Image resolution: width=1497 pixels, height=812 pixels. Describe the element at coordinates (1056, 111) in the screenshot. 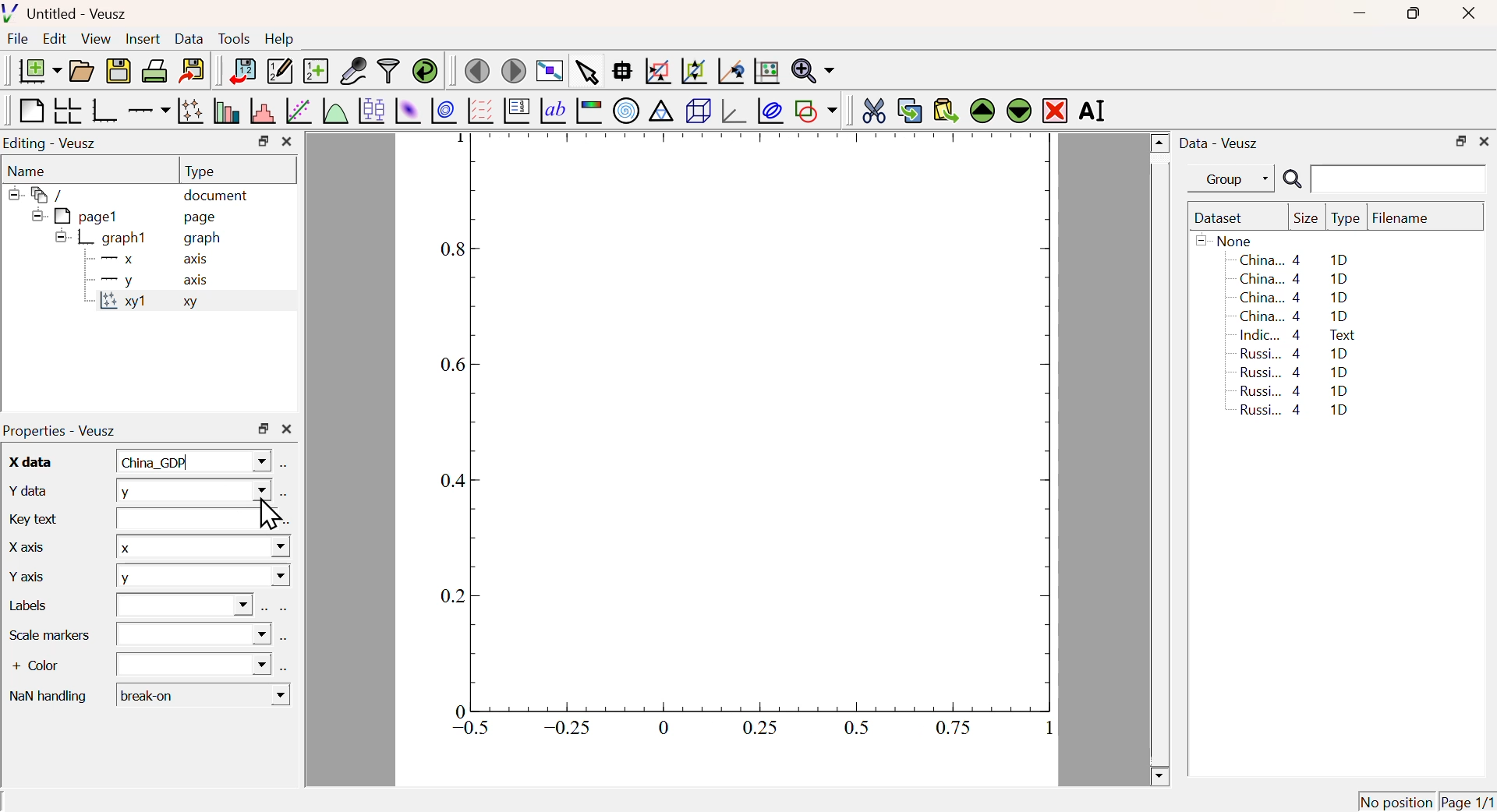

I see `Remove` at that location.